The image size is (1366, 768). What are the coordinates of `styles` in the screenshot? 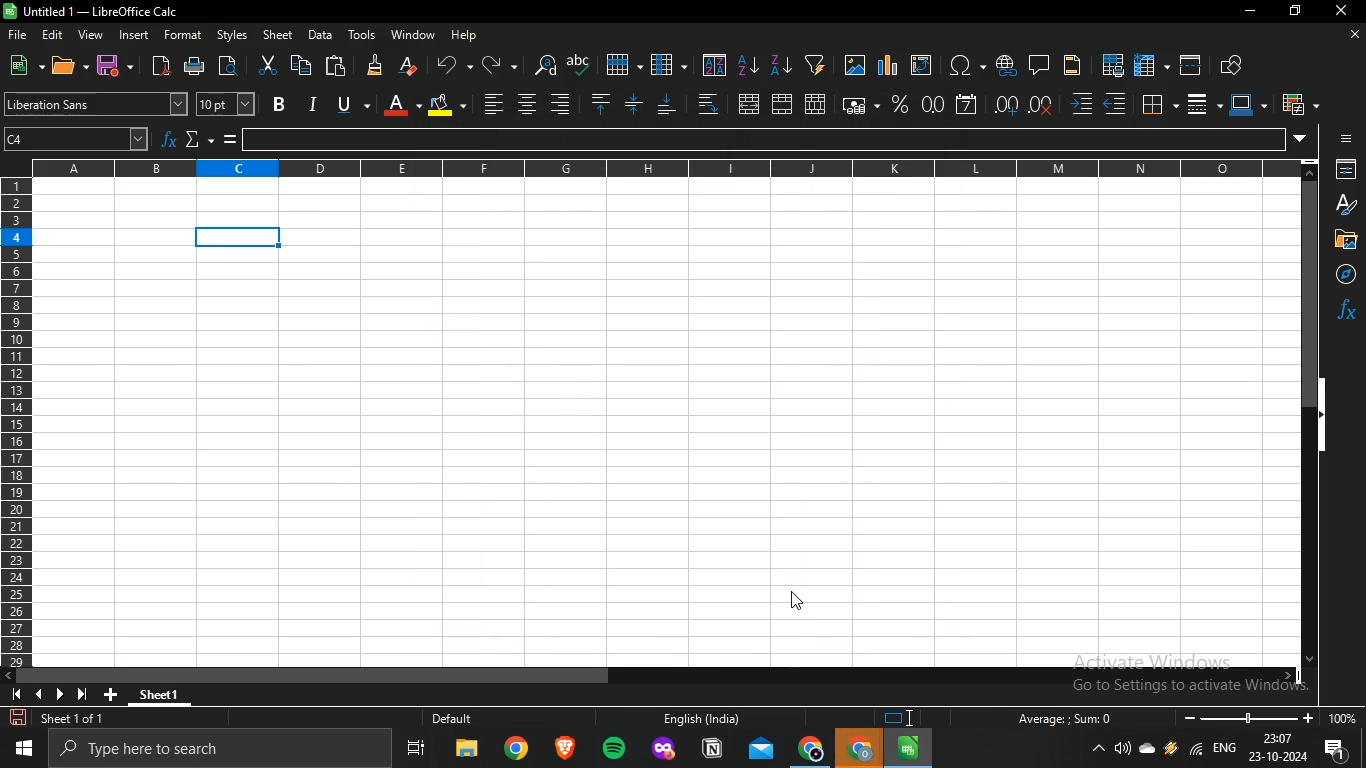 It's located at (1342, 204).